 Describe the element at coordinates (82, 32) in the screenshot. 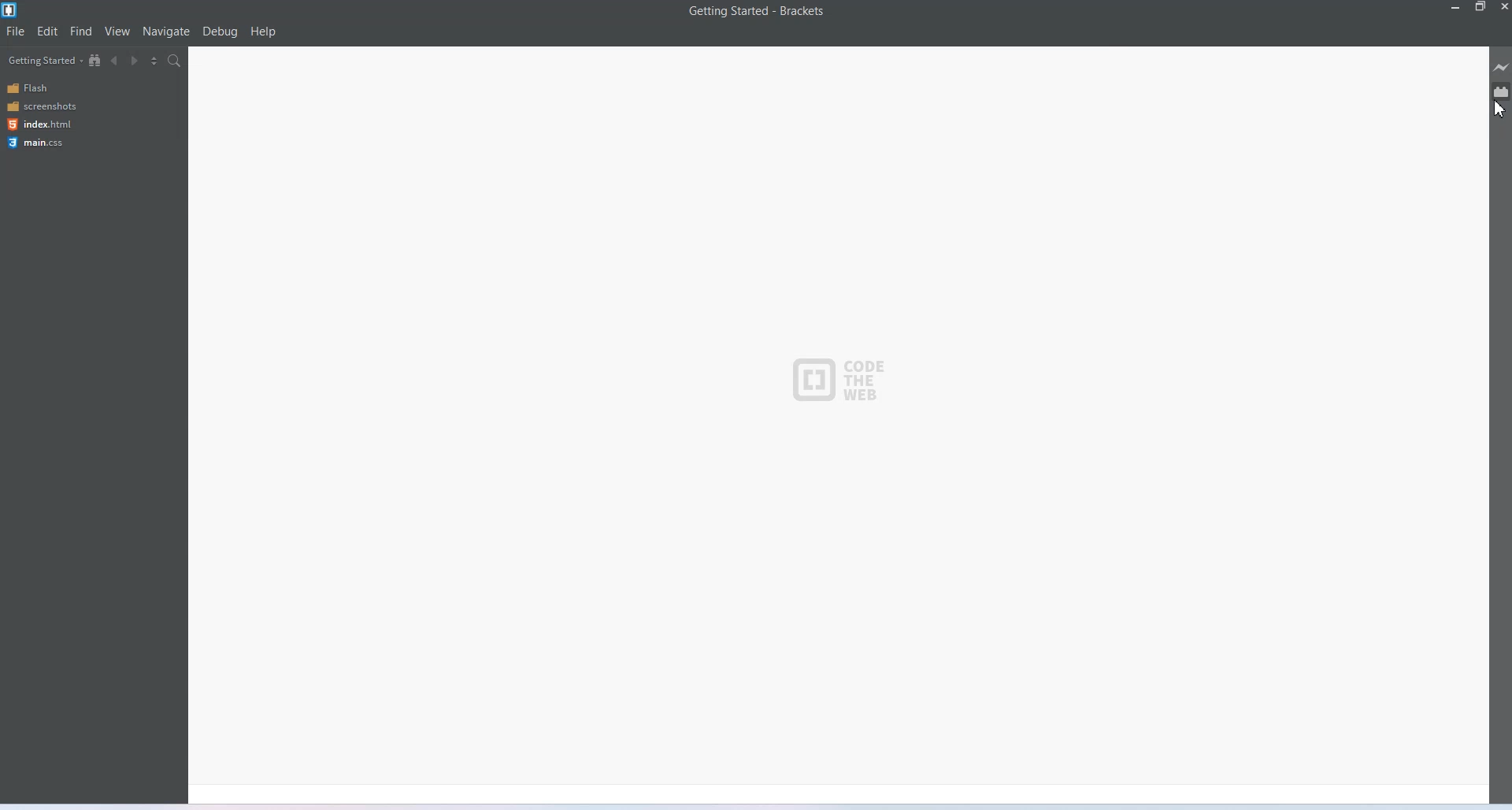

I see `Find` at that location.